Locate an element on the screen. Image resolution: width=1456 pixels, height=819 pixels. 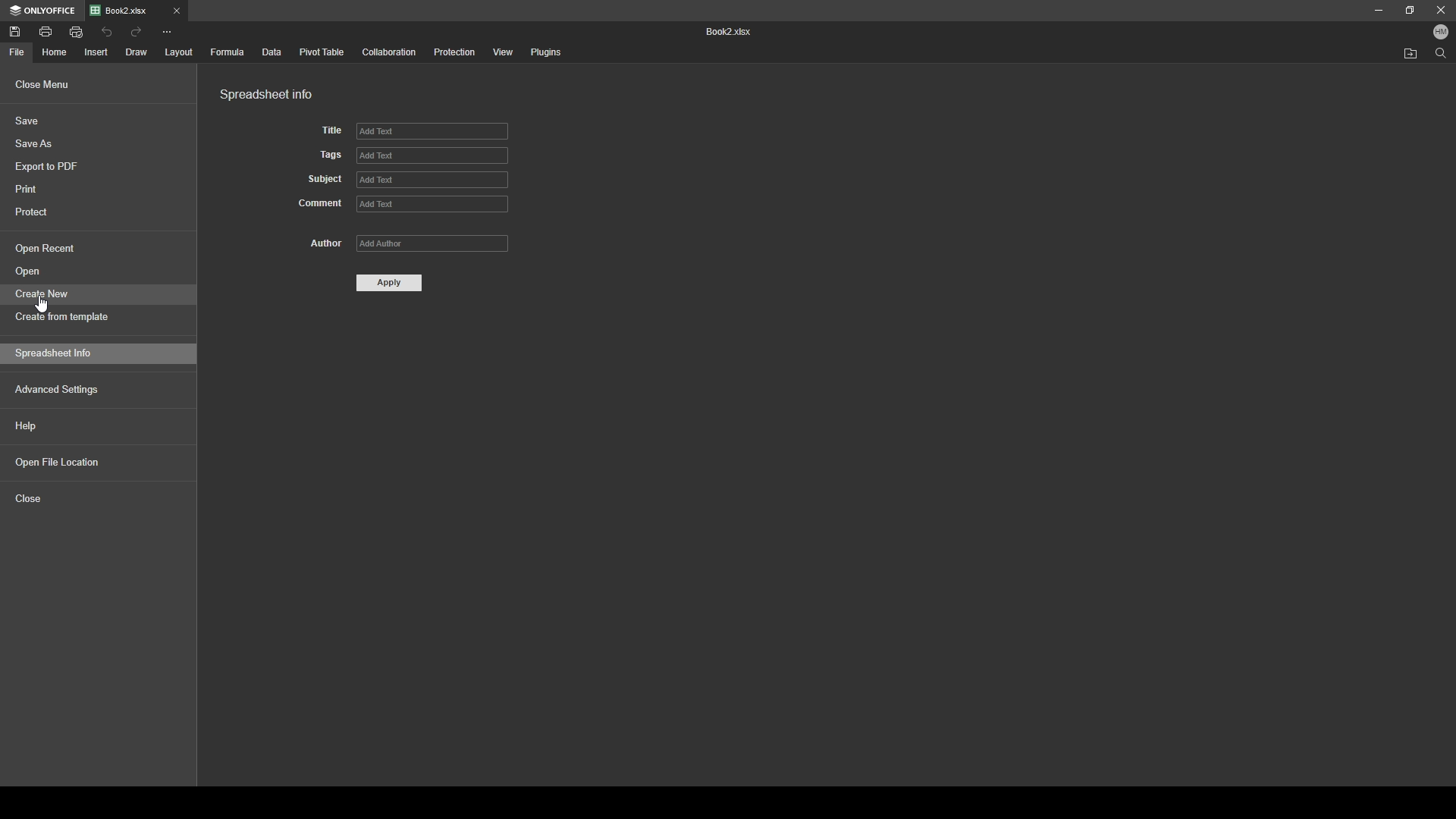
print file is located at coordinates (46, 31).